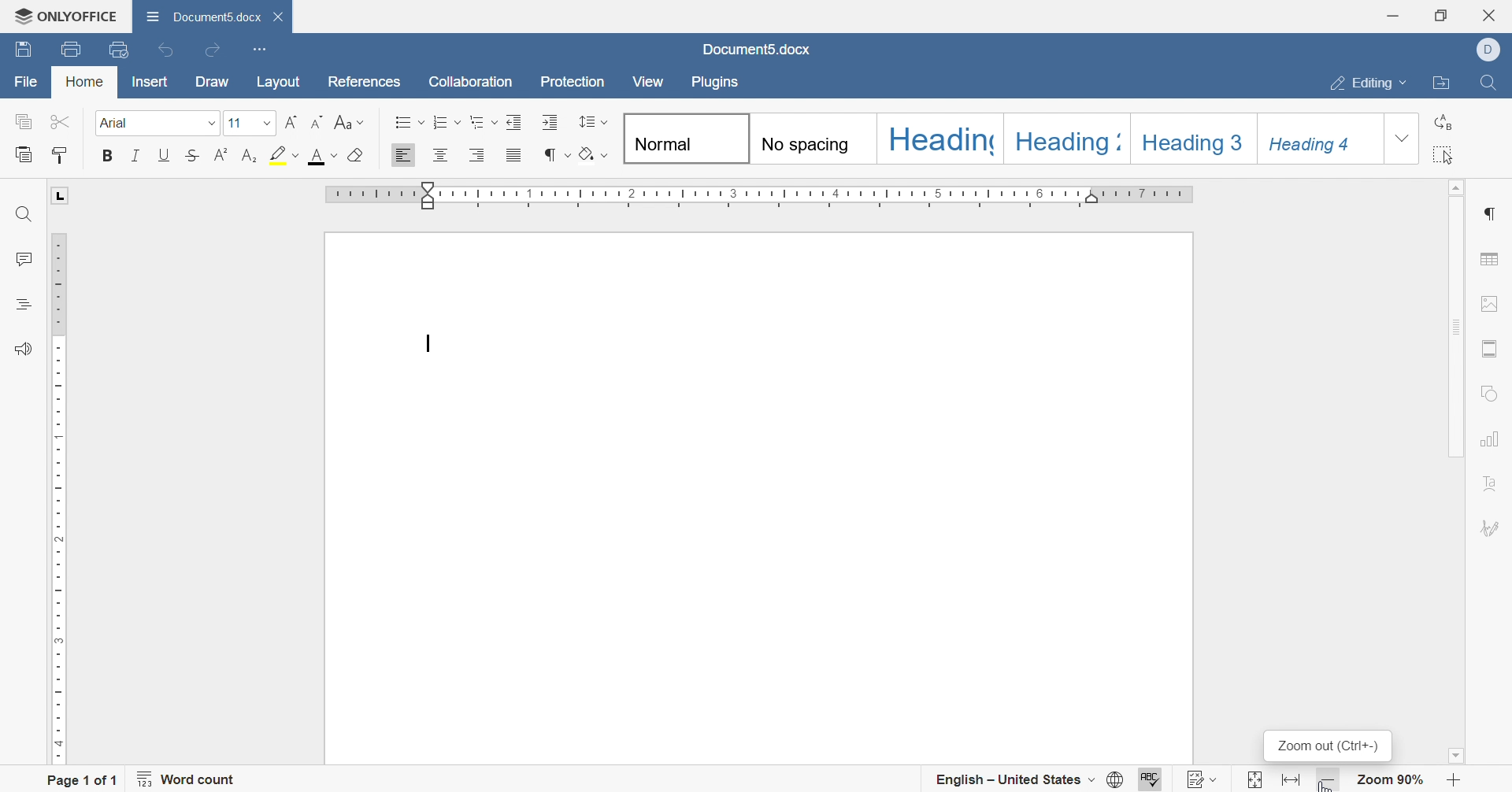 The width and height of the screenshot is (1512, 792). I want to click on collaboration, so click(469, 81).